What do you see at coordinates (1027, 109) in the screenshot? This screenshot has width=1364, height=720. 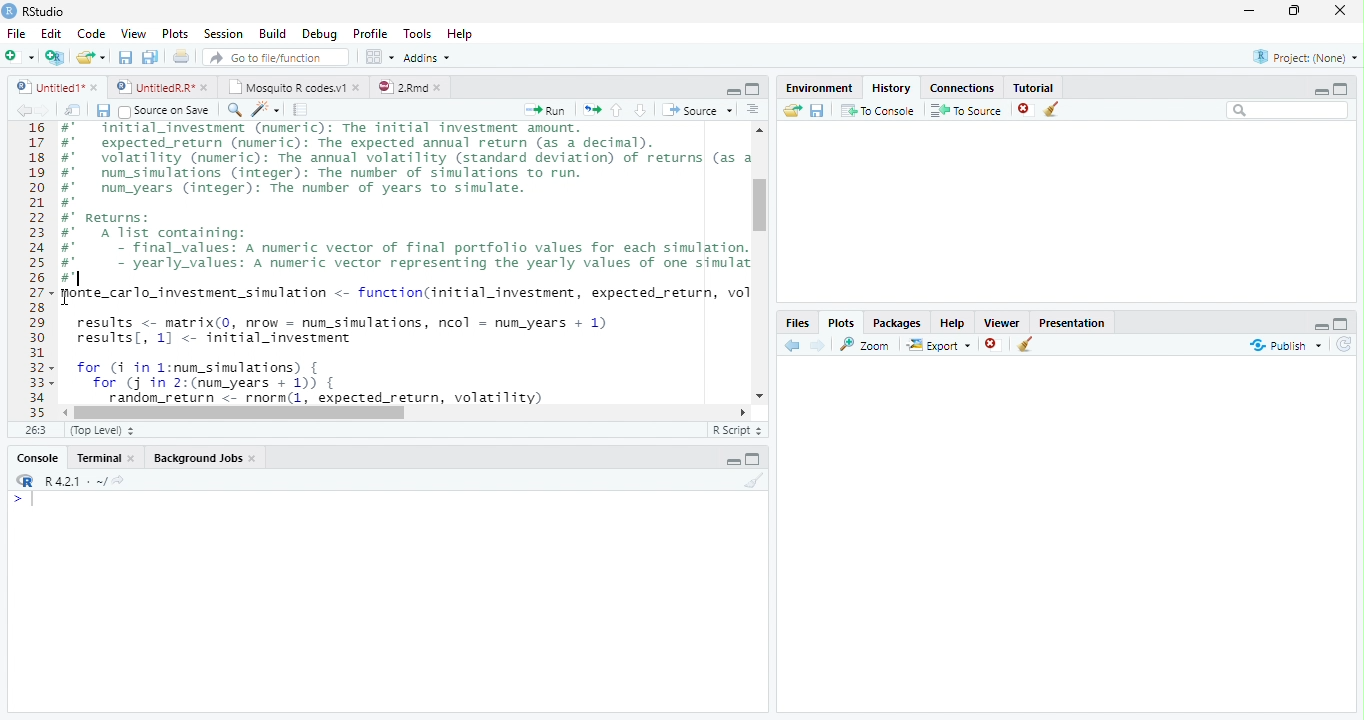 I see `Remove Selected` at bounding box center [1027, 109].